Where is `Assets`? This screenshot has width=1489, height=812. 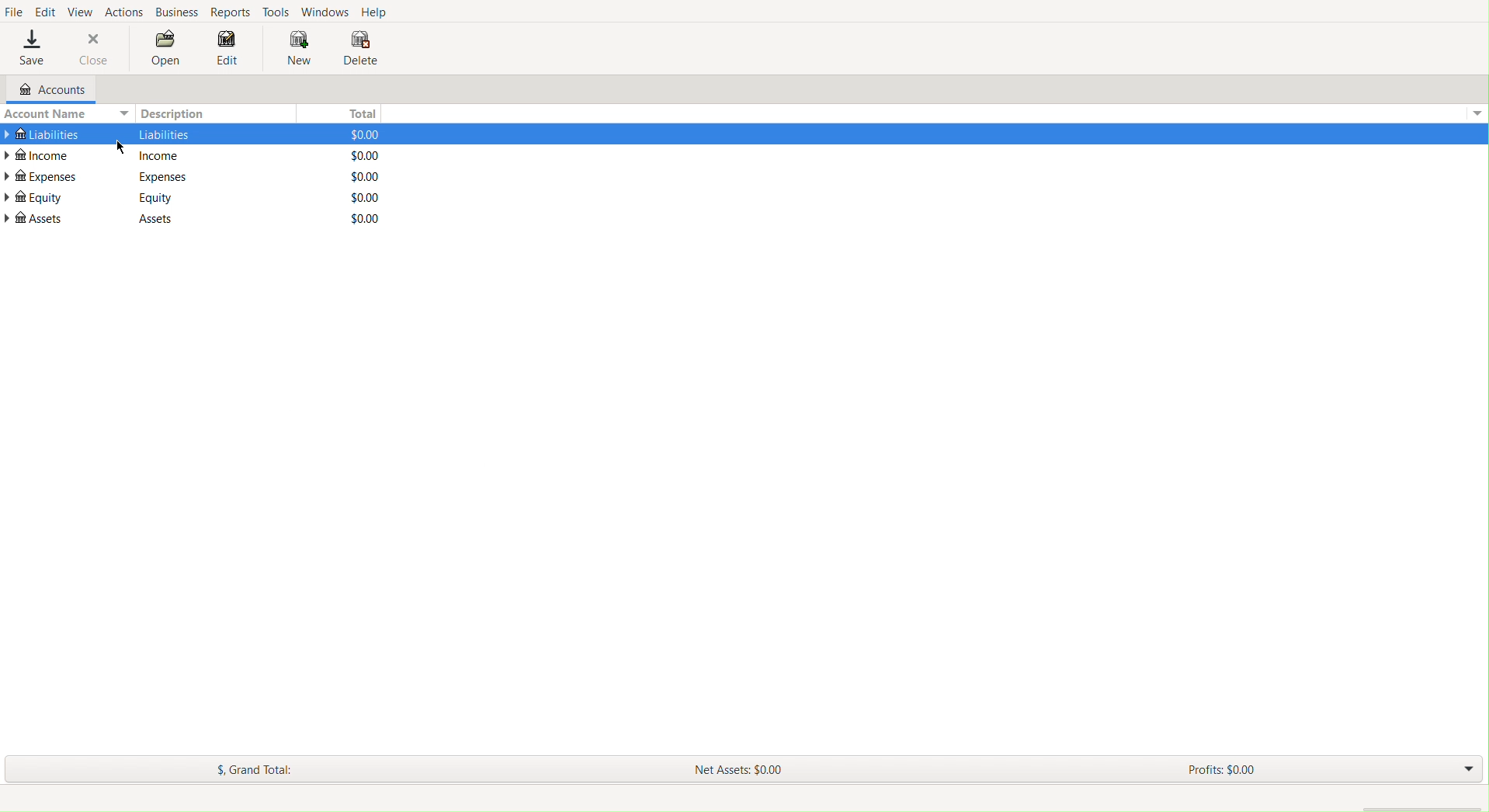
Assets is located at coordinates (36, 218).